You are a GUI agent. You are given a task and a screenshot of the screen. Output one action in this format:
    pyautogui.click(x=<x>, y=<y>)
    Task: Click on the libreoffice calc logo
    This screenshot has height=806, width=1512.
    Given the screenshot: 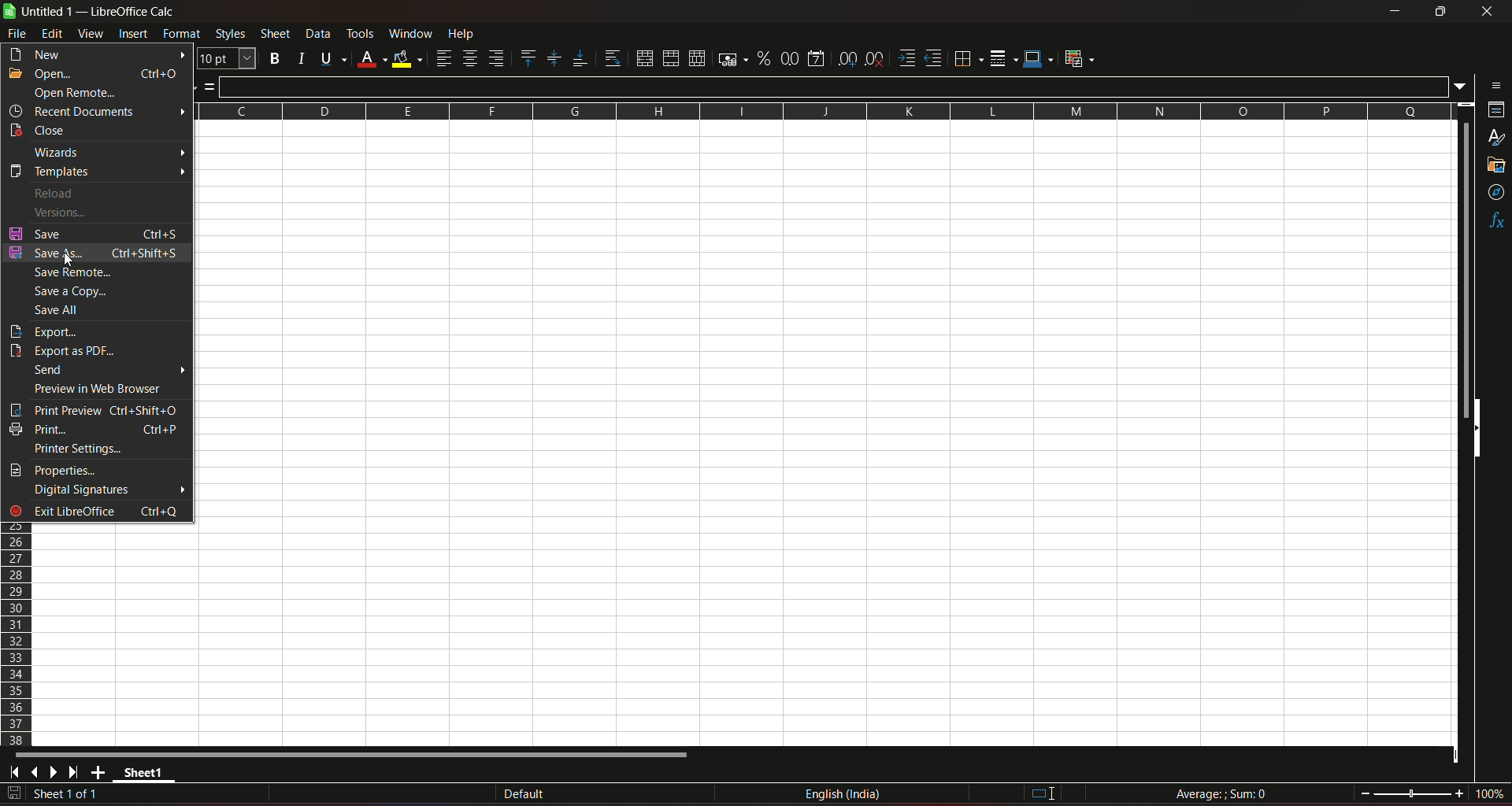 What is the action you would take?
    pyautogui.click(x=9, y=12)
    